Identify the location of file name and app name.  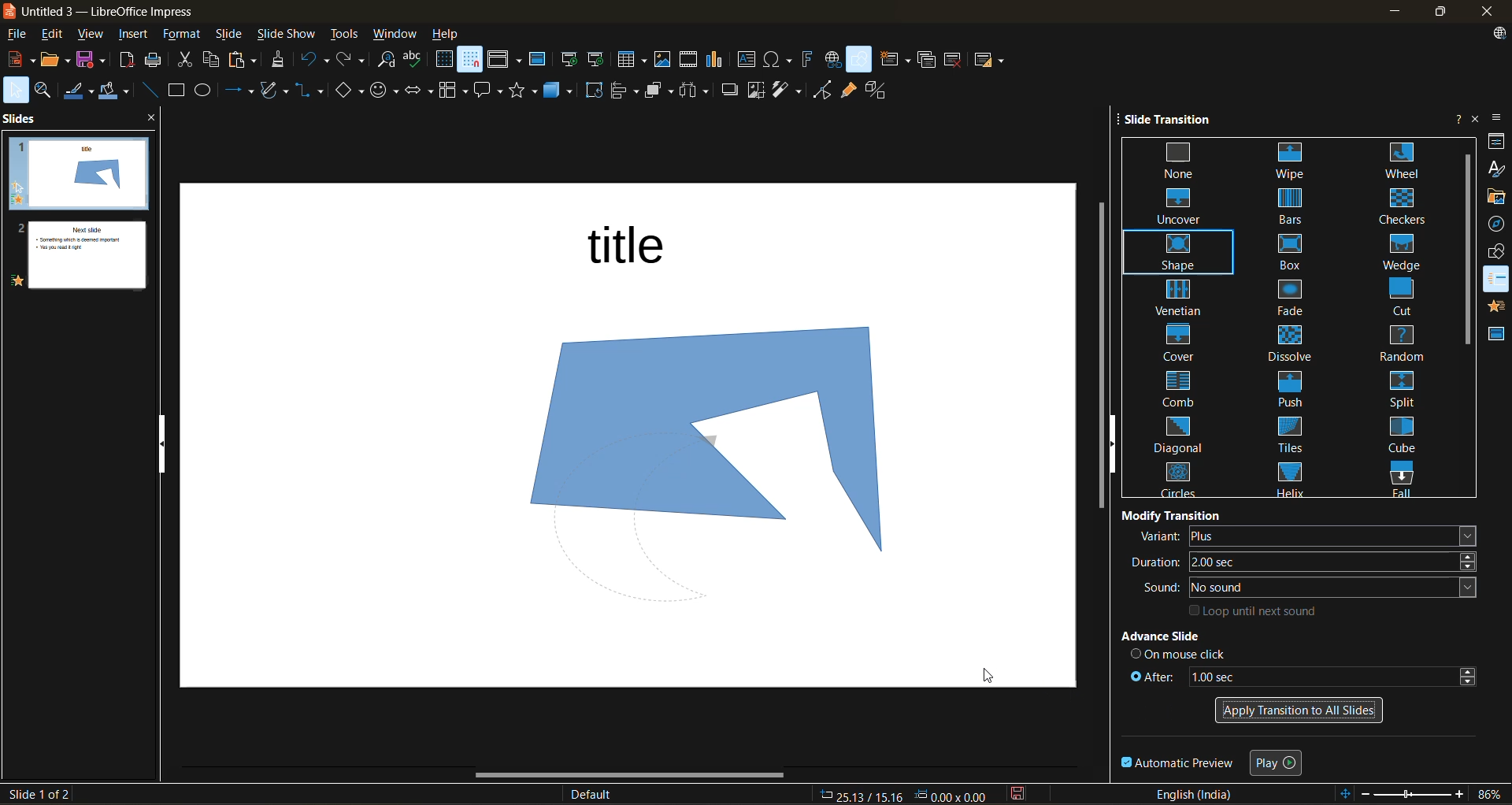
(113, 12).